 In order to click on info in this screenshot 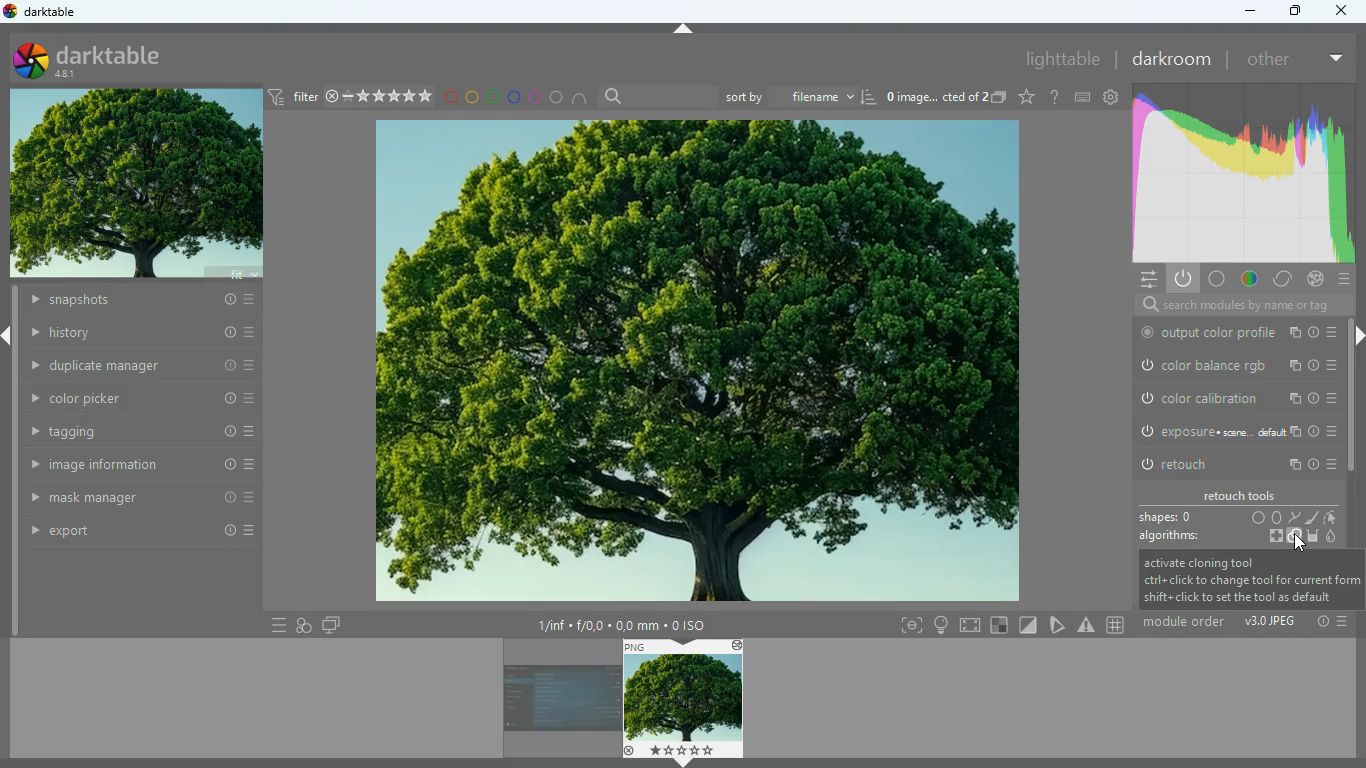, I will do `click(1320, 622)`.